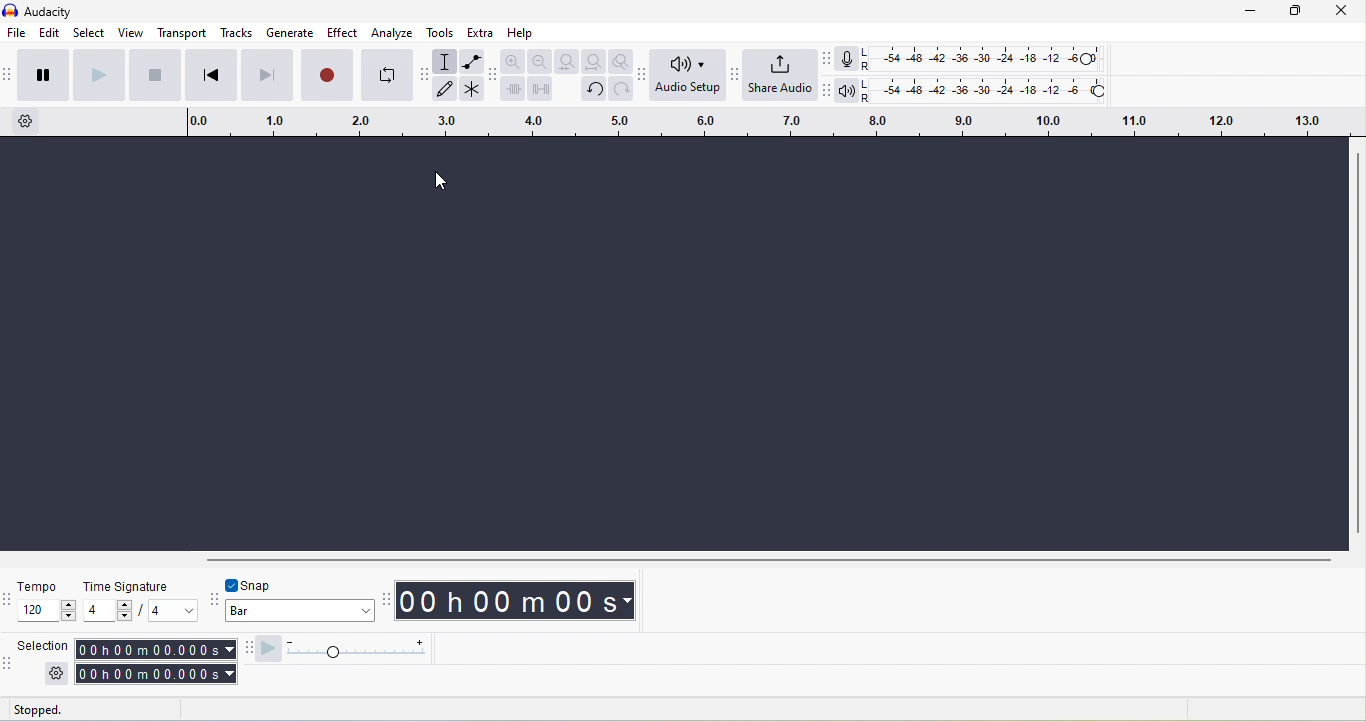  What do you see at coordinates (539, 90) in the screenshot?
I see `silence audio selection` at bounding box center [539, 90].